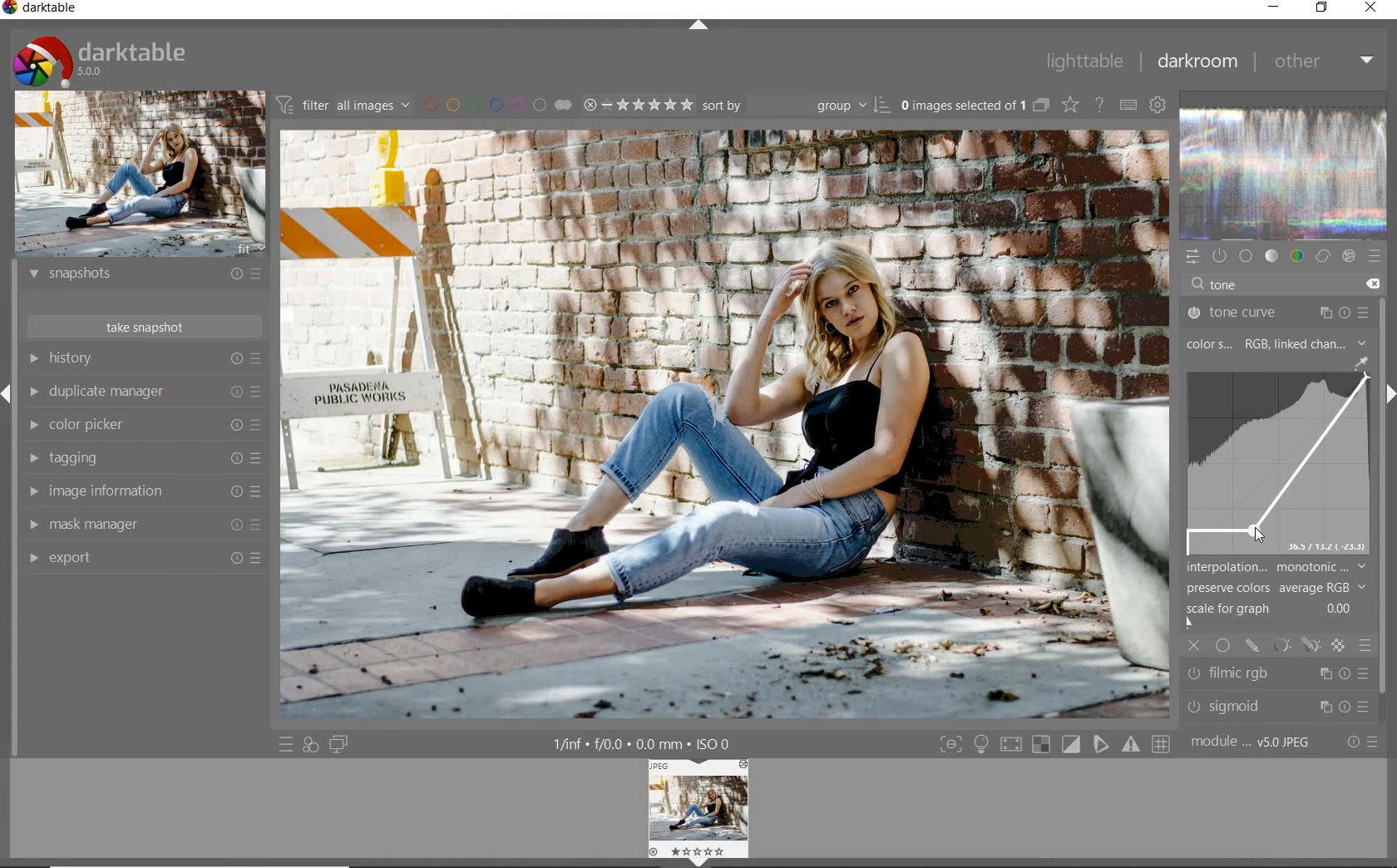  What do you see at coordinates (1322, 257) in the screenshot?
I see `correct` at bounding box center [1322, 257].